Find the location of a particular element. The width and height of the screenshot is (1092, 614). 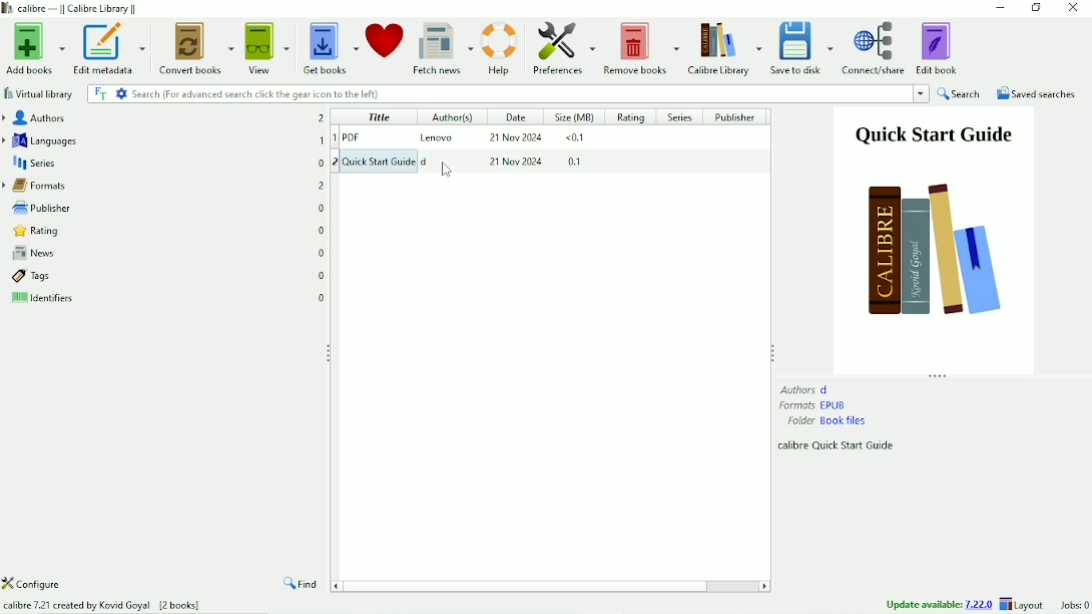

Advanced search is located at coordinates (121, 93).